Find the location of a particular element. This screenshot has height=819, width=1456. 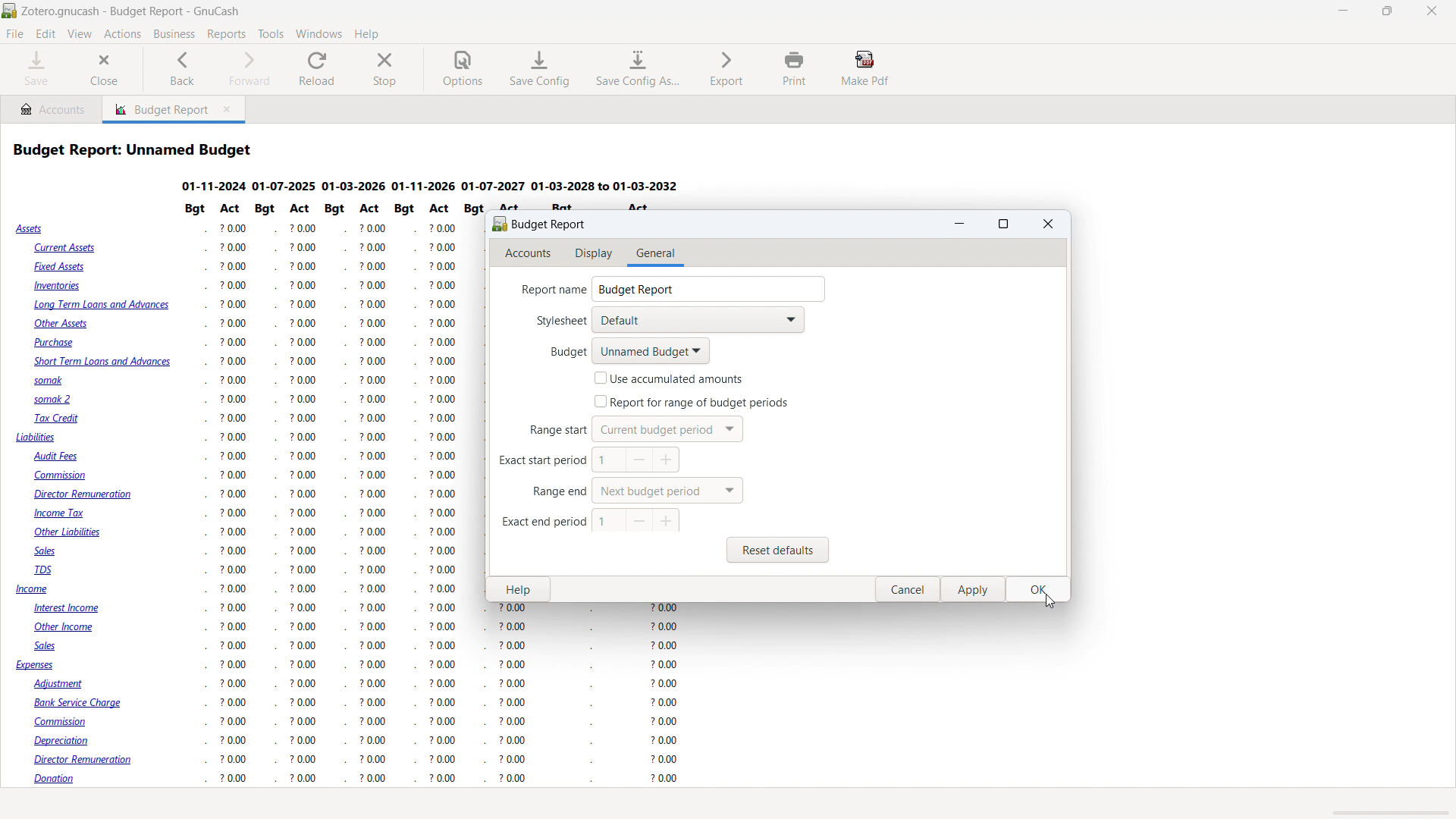

select budget is located at coordinates (651, 351).